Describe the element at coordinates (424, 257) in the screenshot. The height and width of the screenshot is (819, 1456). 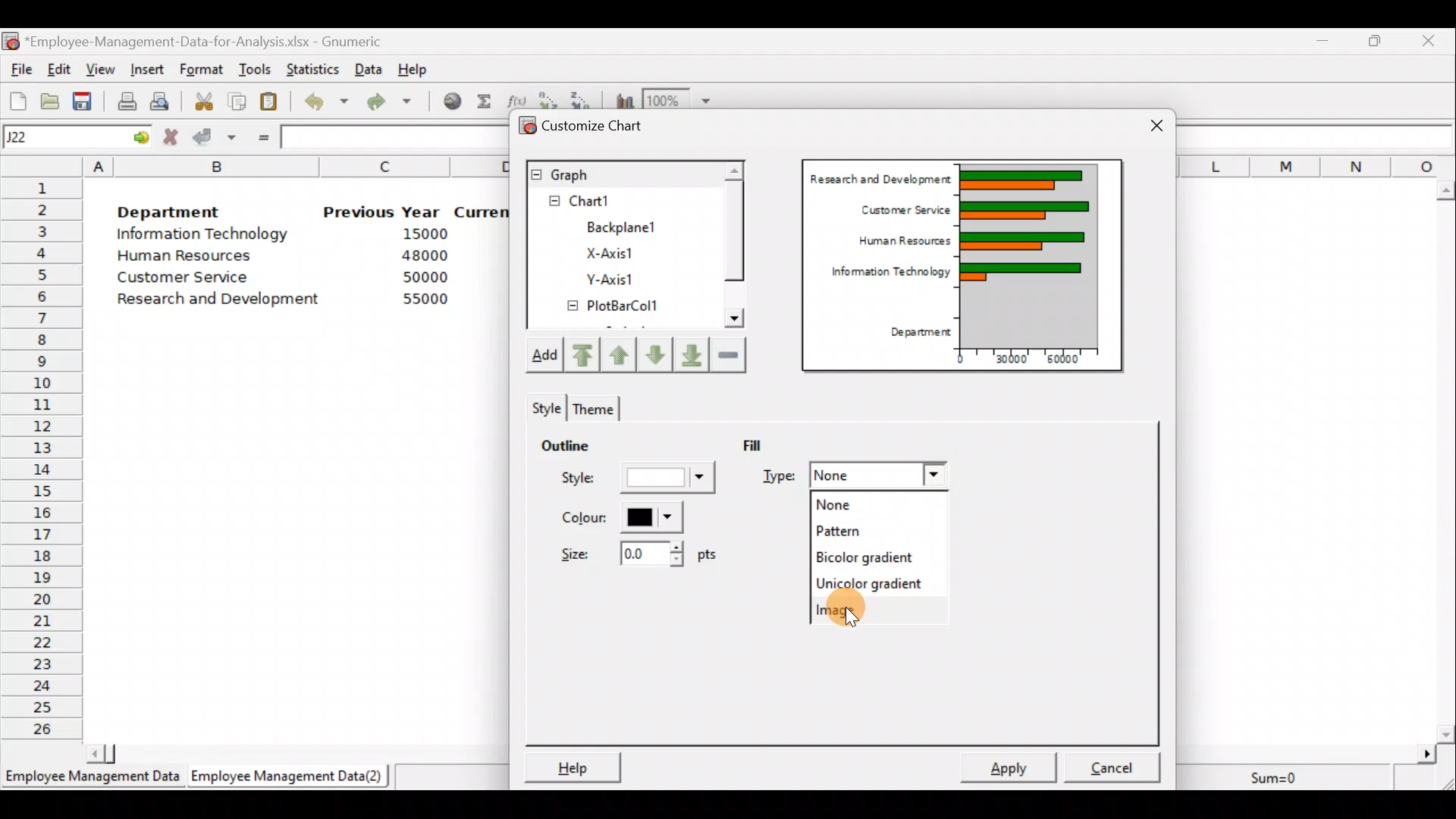
I see `48000` at that location.